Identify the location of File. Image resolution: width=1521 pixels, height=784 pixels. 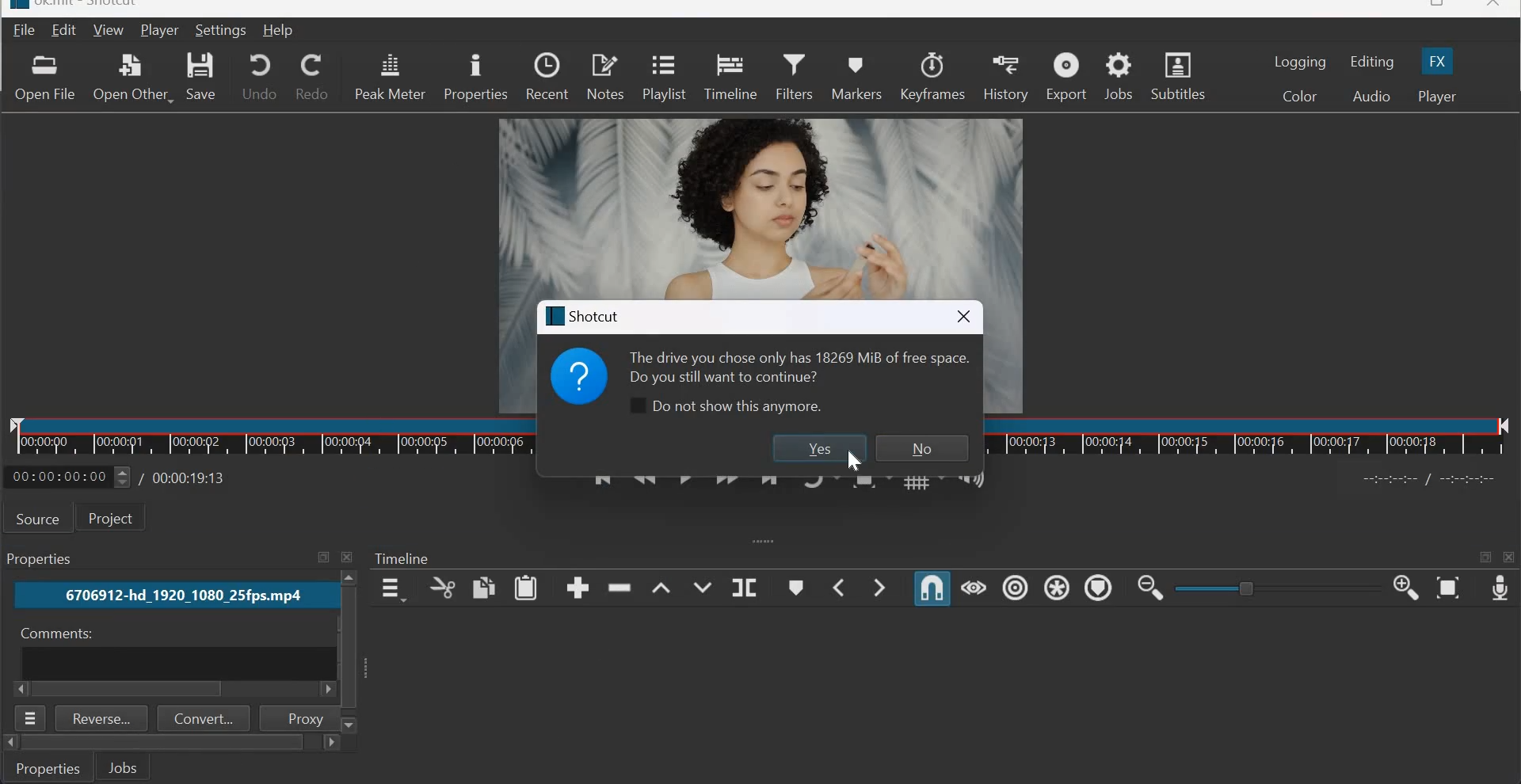
(21, 31).